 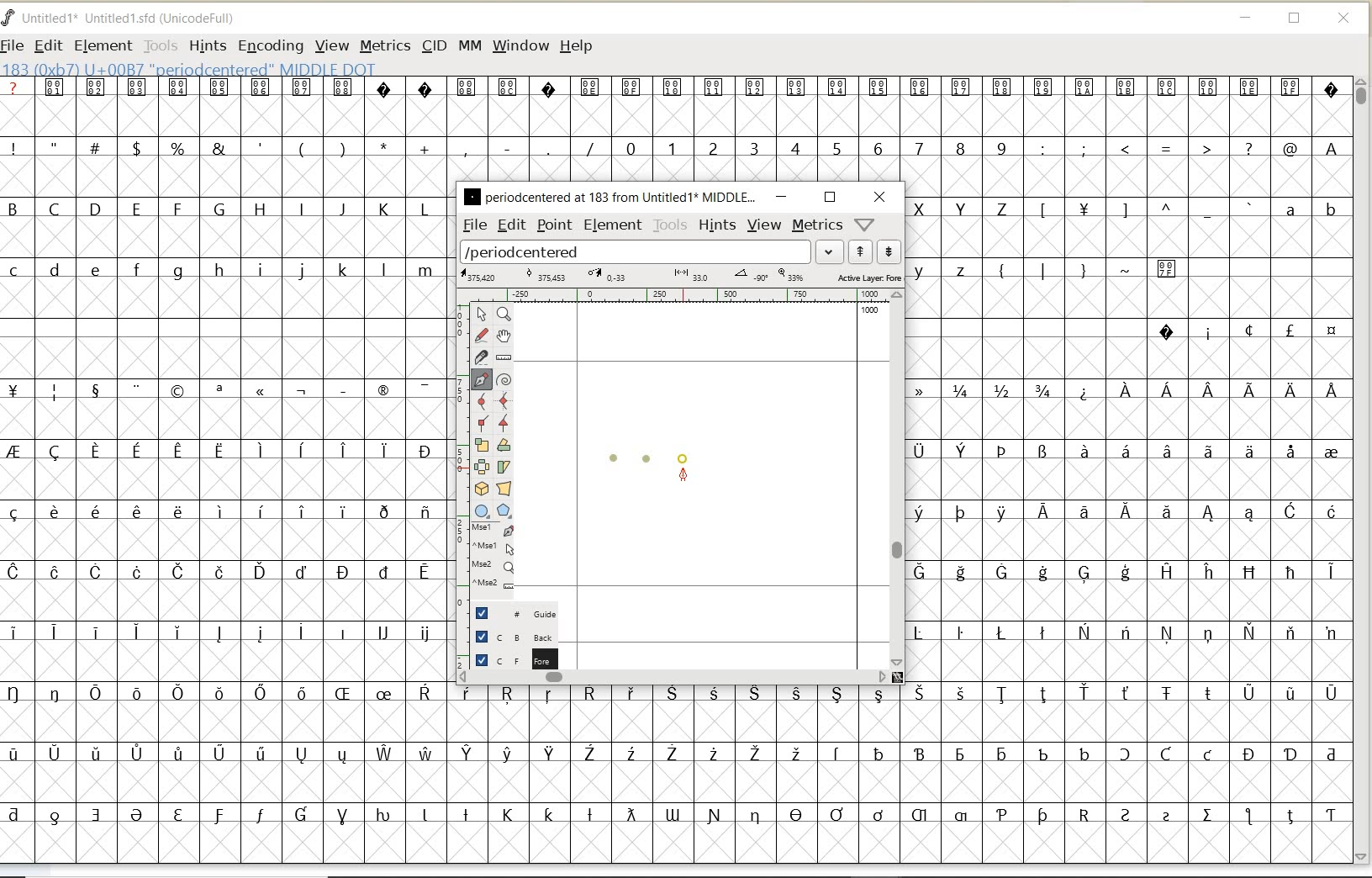 What do you see at coordinates (510, 614) in the screenshot?
I see `guide` at bounding box center [510, 614].